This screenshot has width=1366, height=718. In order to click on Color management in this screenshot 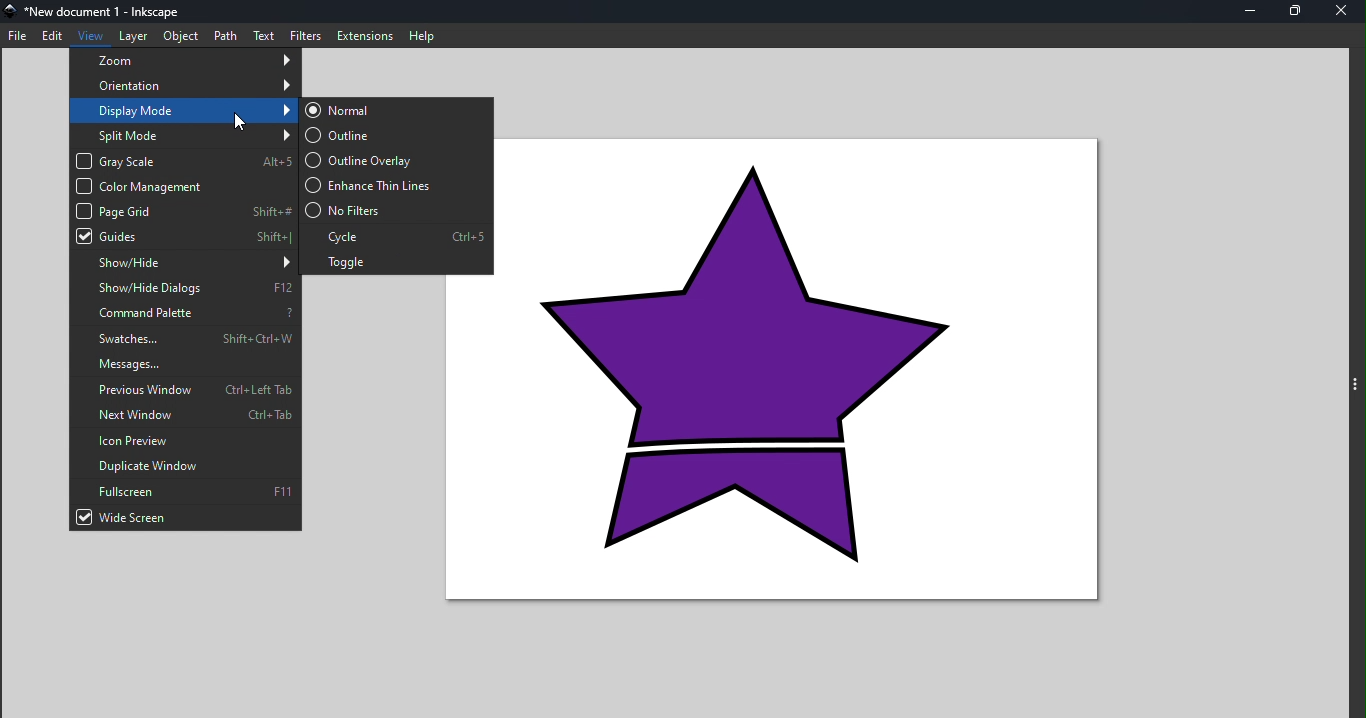, I will do `click(185, 186)`.